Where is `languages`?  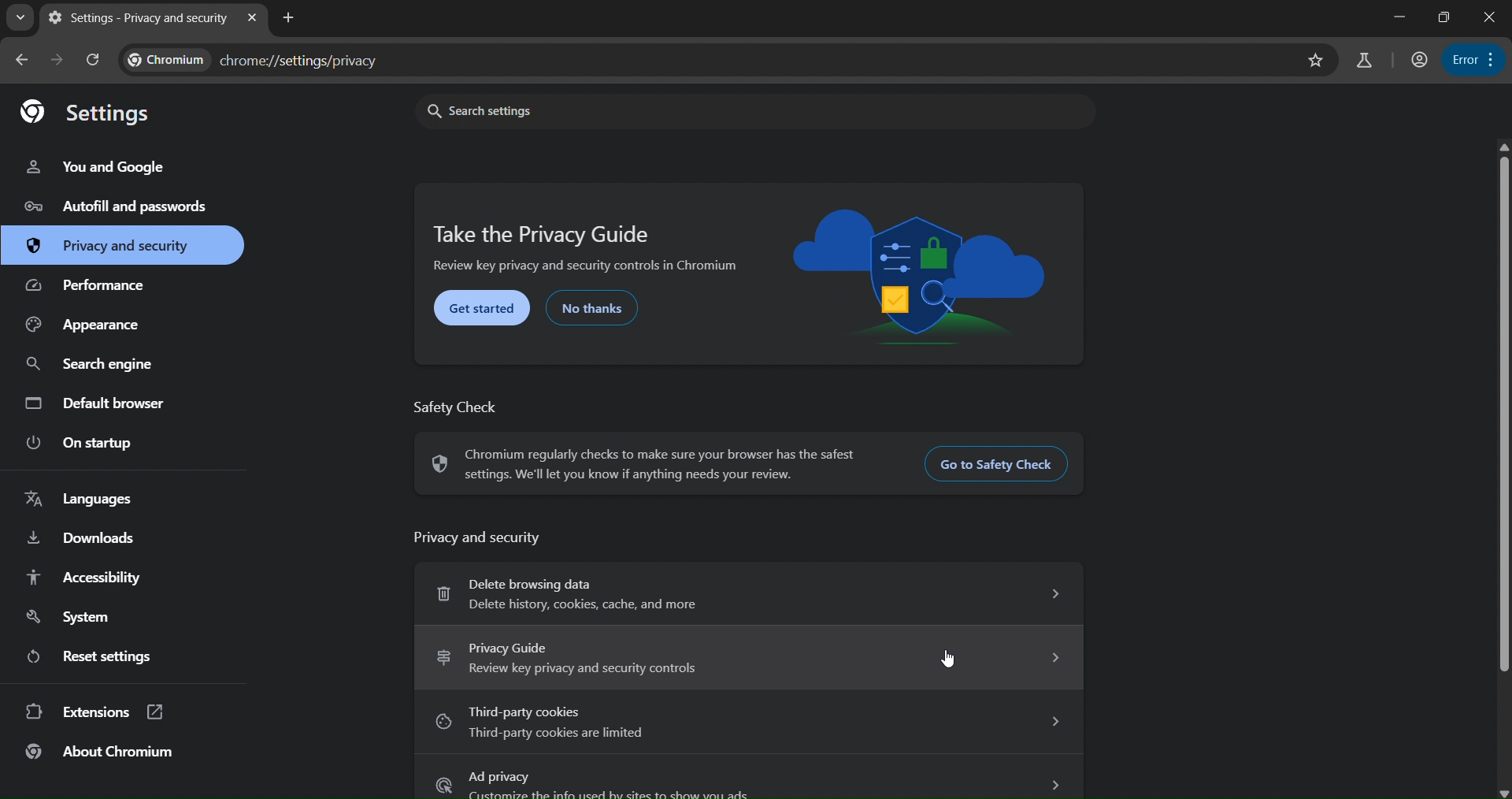 languages is located at coordinates (82, 496).